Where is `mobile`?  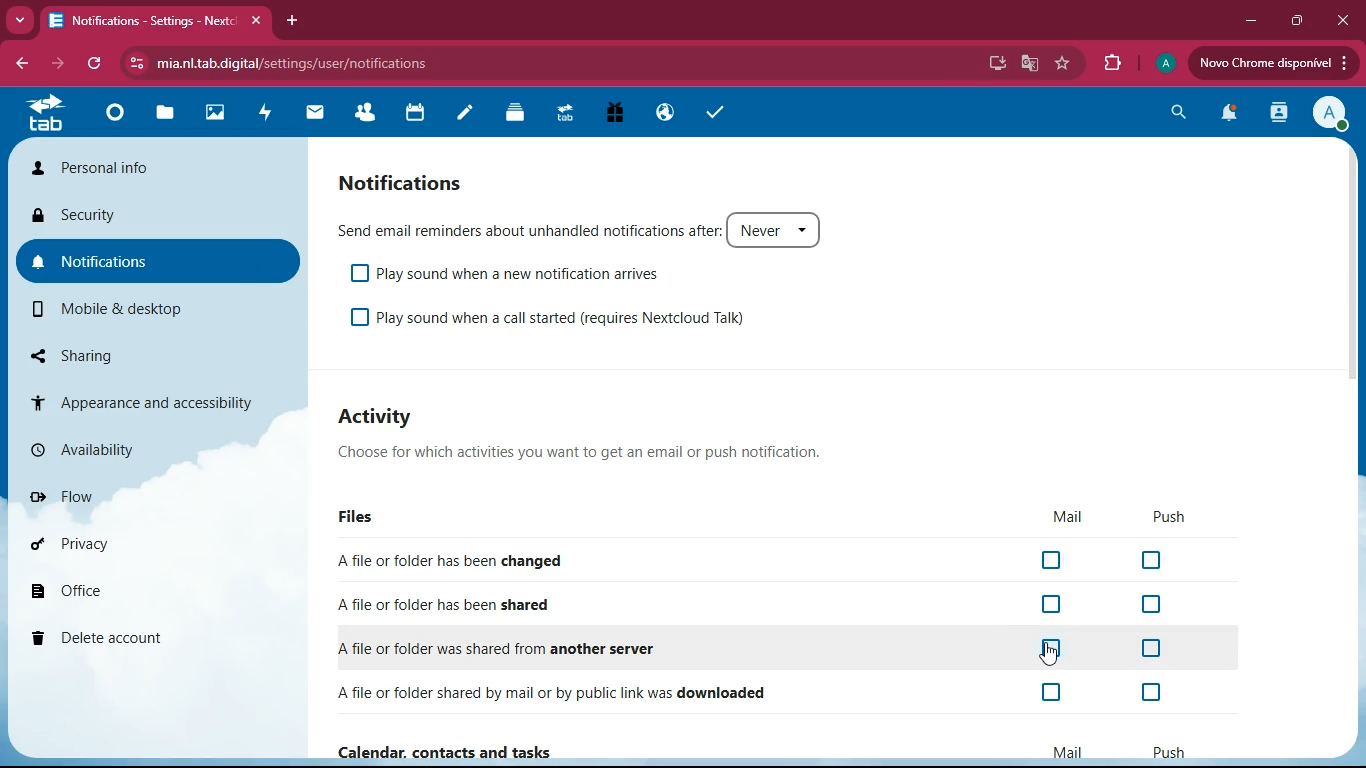
mobile is located at coordinates (130, 310).